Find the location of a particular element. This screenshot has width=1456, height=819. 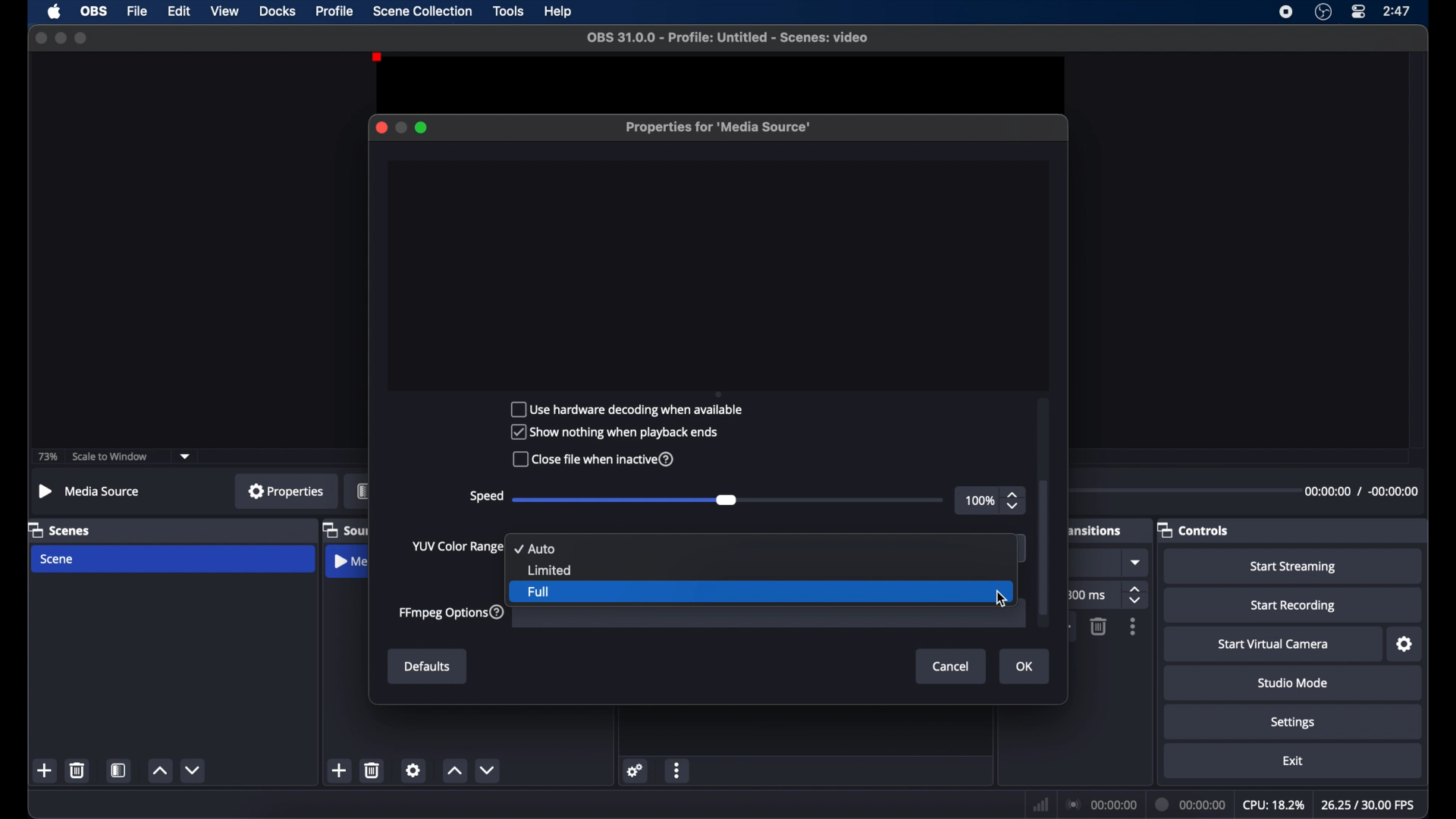

view is located at coordinates (226, 11).